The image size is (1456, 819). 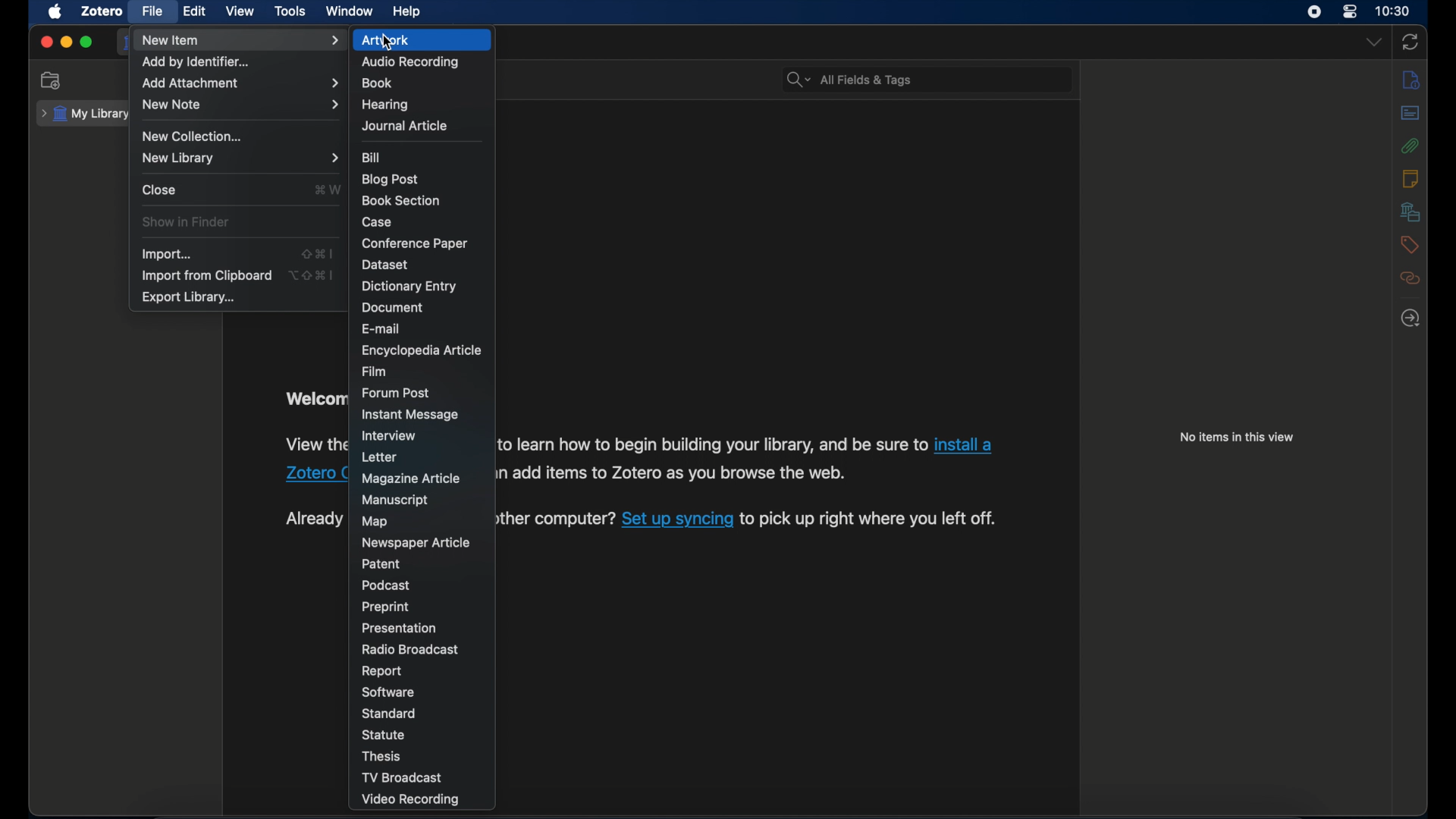 What do you see at coordinates (187, 298) in the screenshot?
I see `export library` at bounding box center [187, 298].